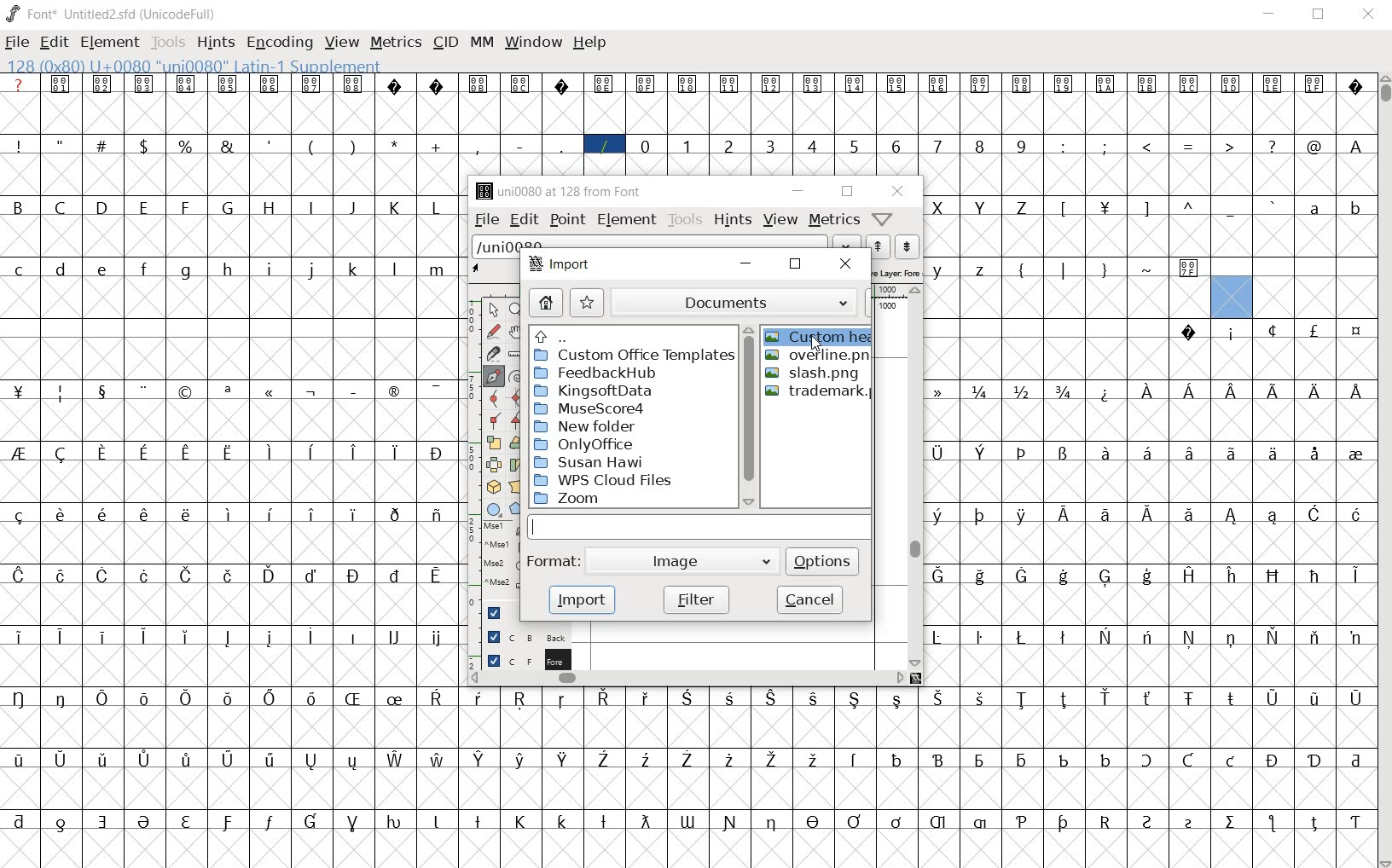  I want to click on glyph, so click(270, 698).